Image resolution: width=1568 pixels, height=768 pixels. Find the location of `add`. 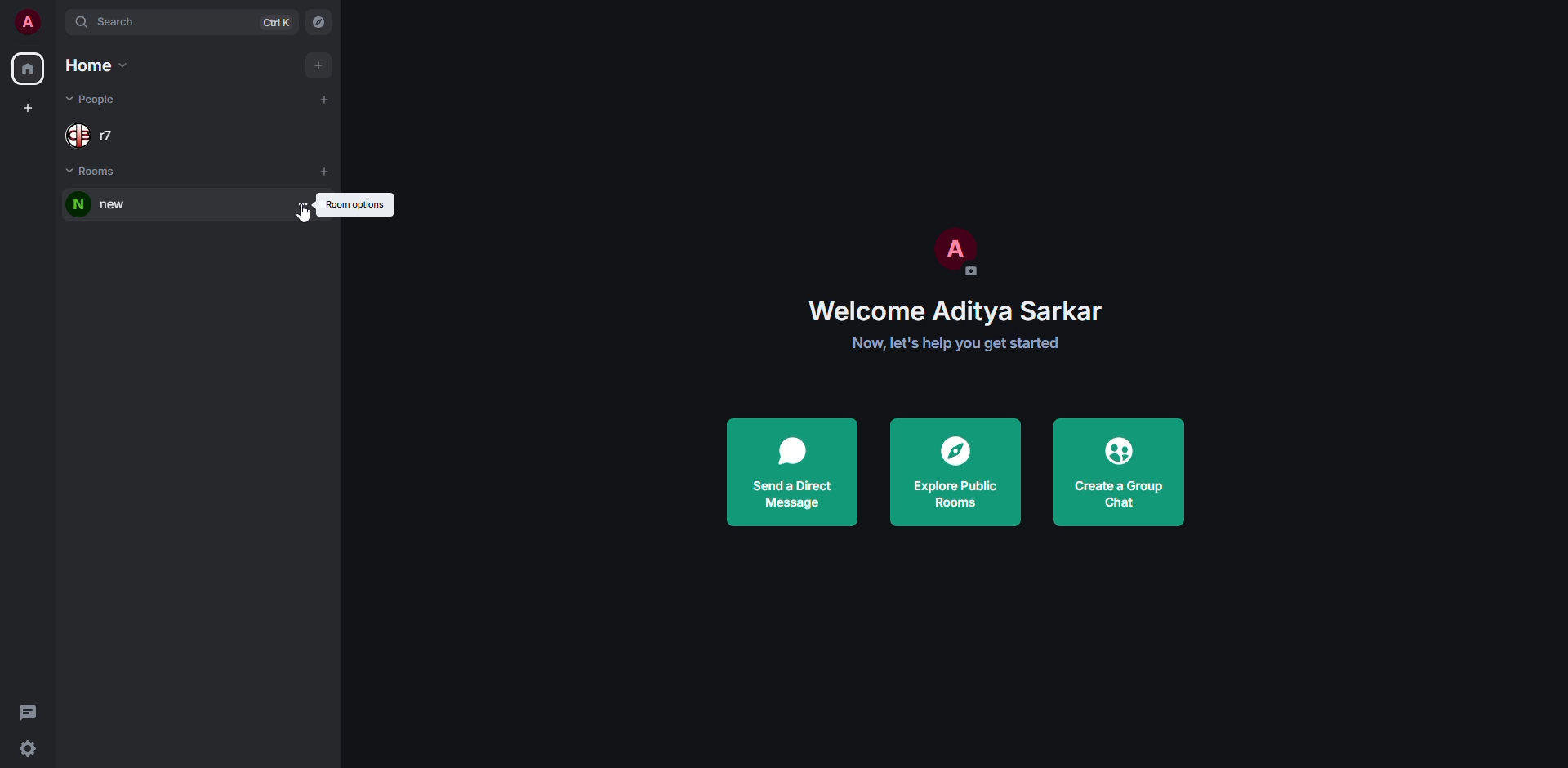

add is located at coordinates (325, 171).